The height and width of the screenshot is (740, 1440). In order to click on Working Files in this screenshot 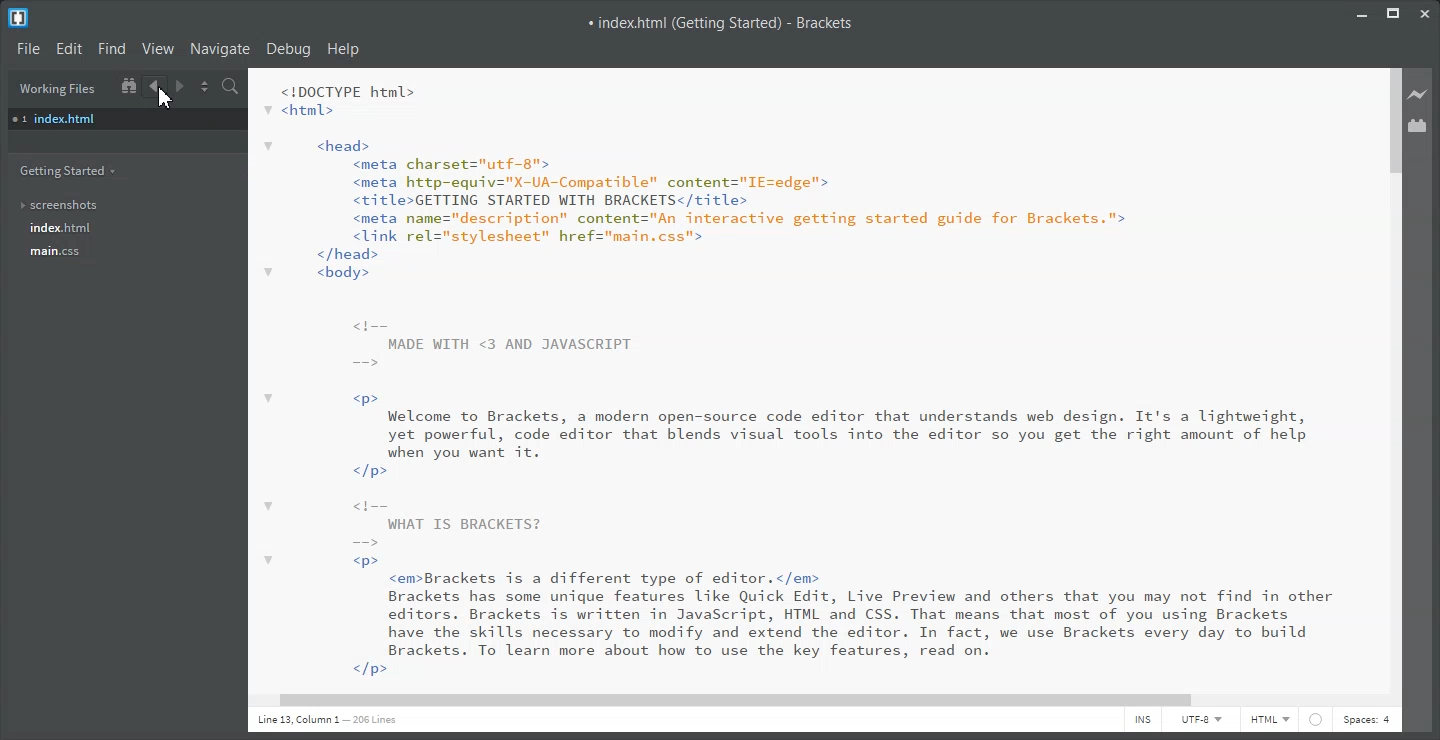, I will do `click(57, 88)`.